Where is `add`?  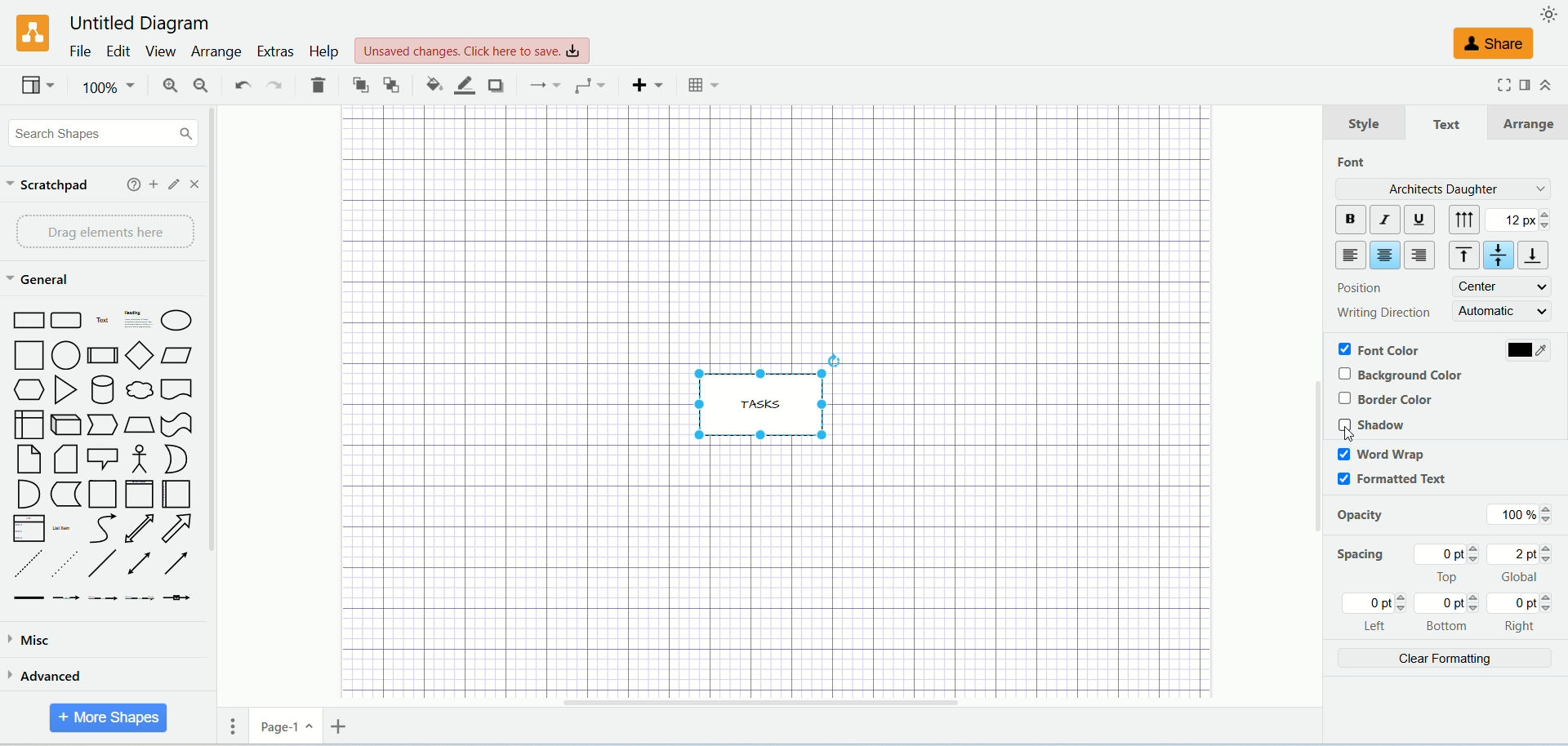
add is located at coordinates (154, 184).